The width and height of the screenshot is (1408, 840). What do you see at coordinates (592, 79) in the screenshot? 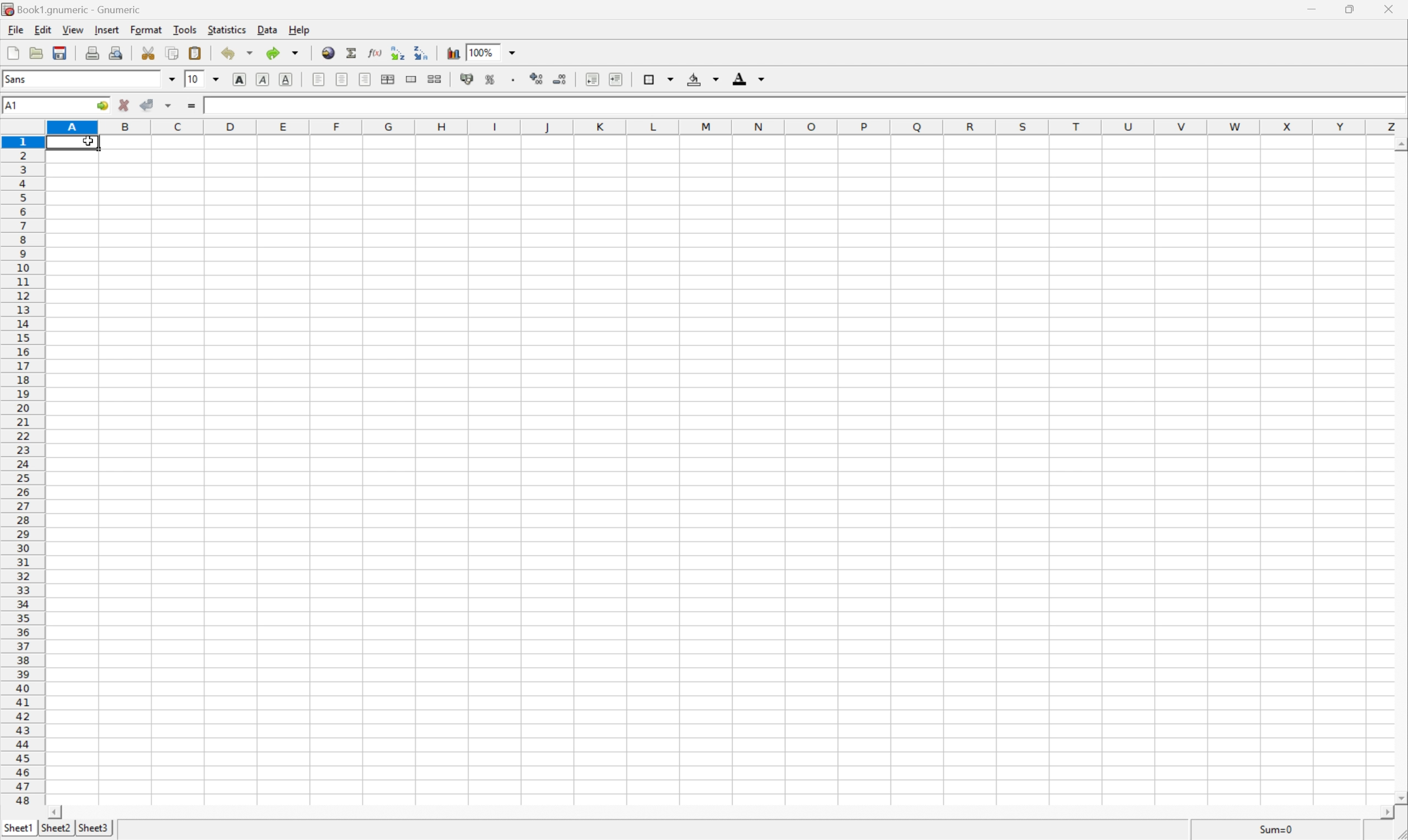
I see `decrease indent` at bounding box center [592, 79].